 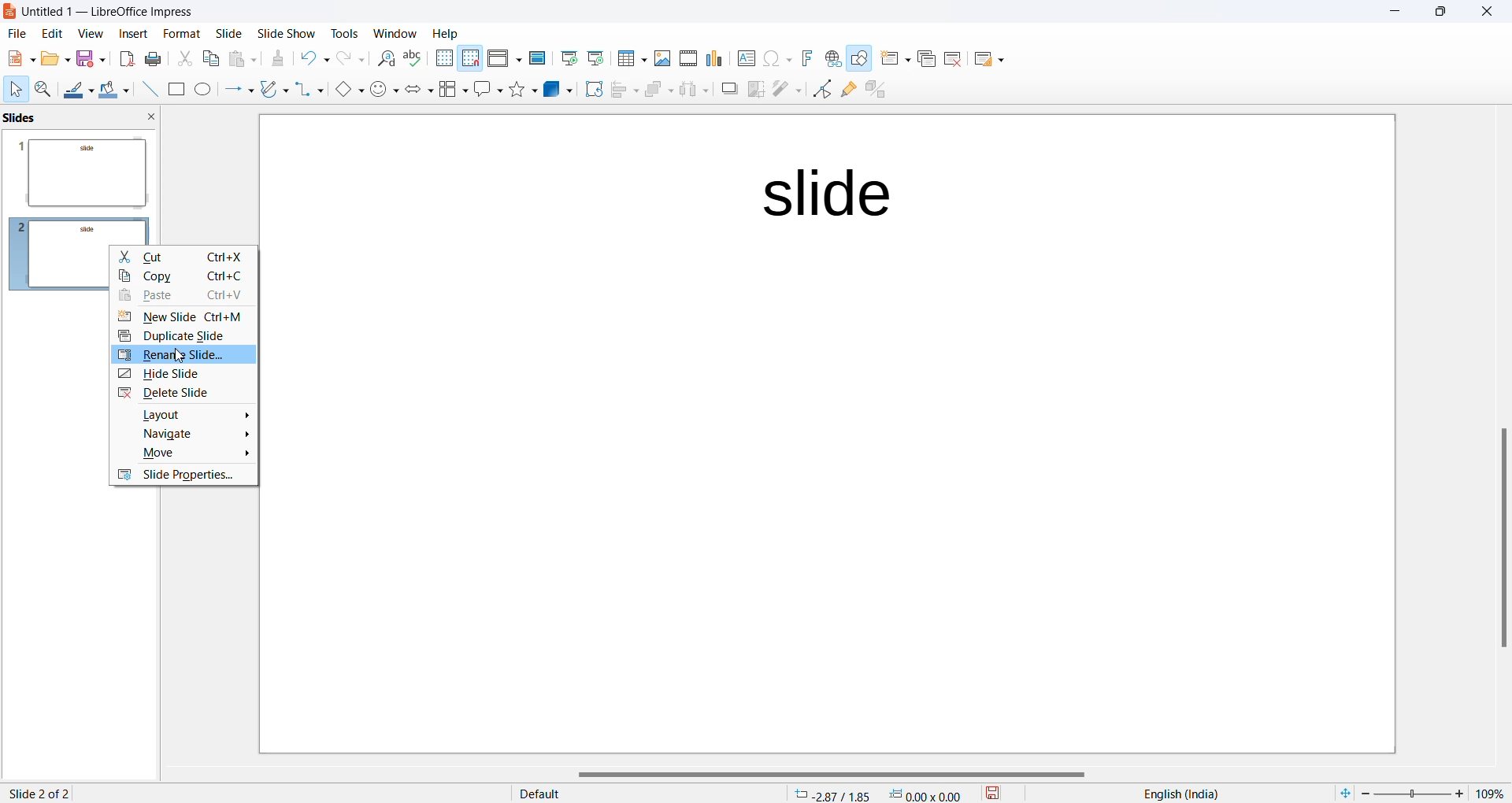 I want to click on Shapes, so click(x=521, y=90).